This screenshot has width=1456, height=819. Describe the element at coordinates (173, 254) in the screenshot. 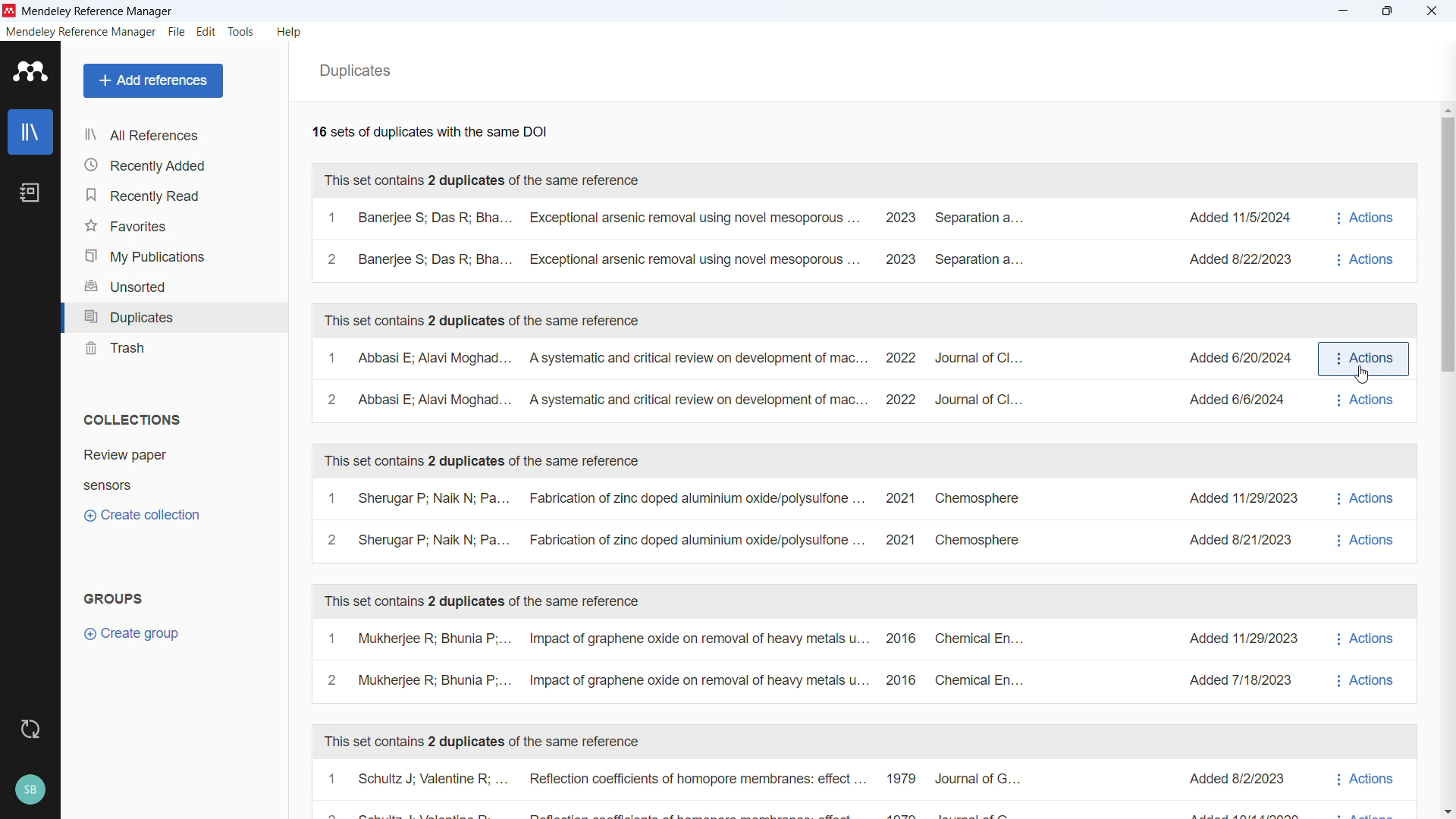

I see `My publications ` at that location.